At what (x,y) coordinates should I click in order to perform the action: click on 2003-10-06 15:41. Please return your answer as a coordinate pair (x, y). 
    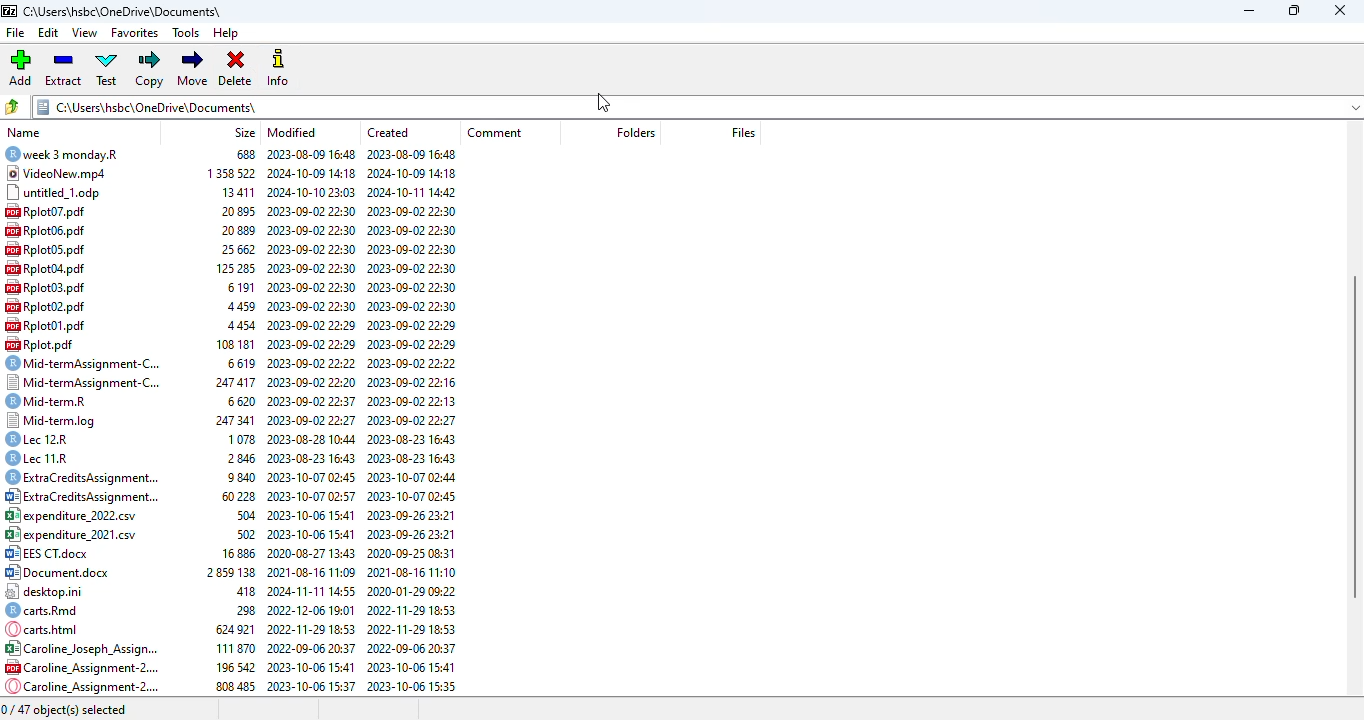
    Looking at the image, I should click on (313, 668).